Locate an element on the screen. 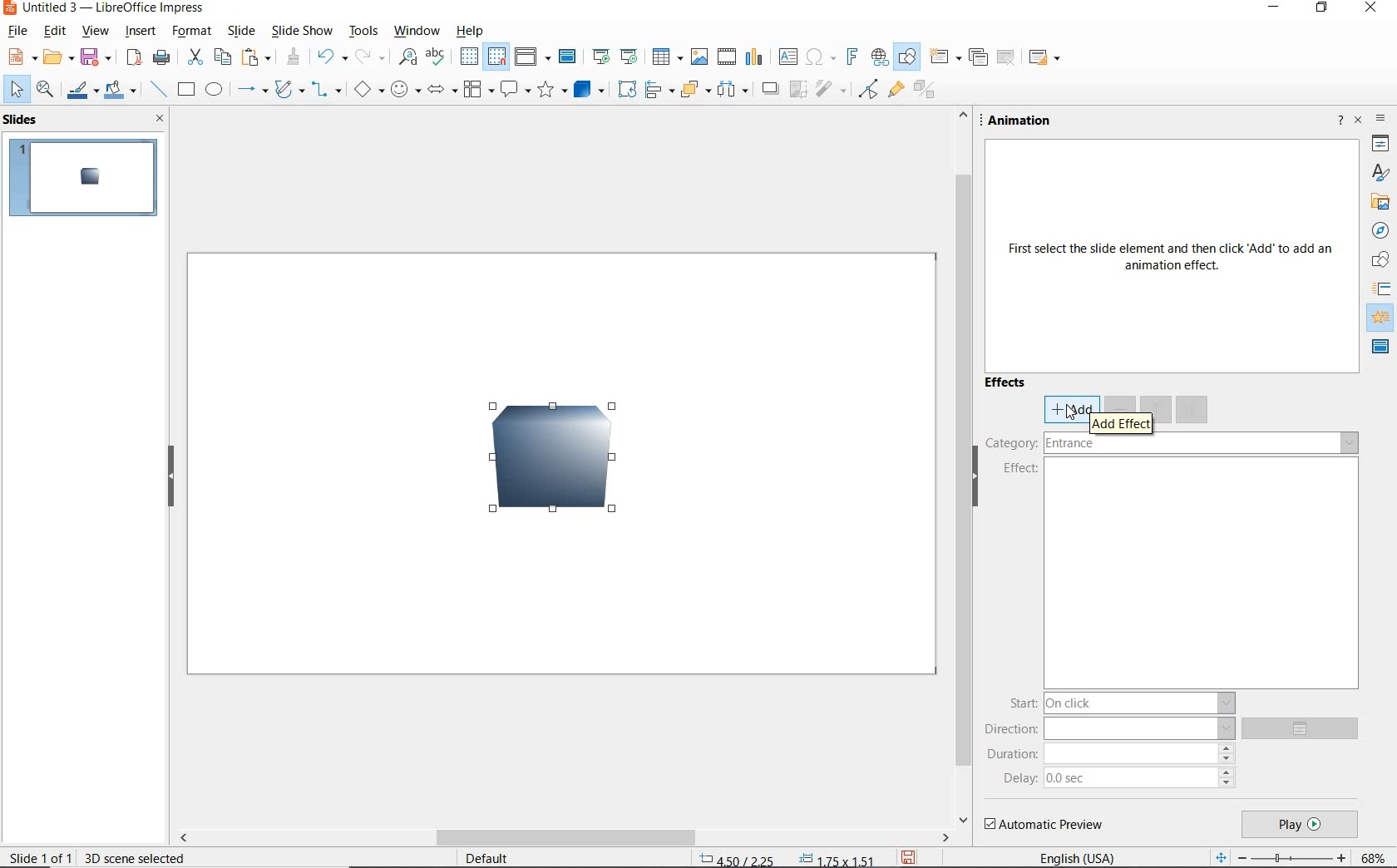  CLOSE is located at coordinates (1372, 8).